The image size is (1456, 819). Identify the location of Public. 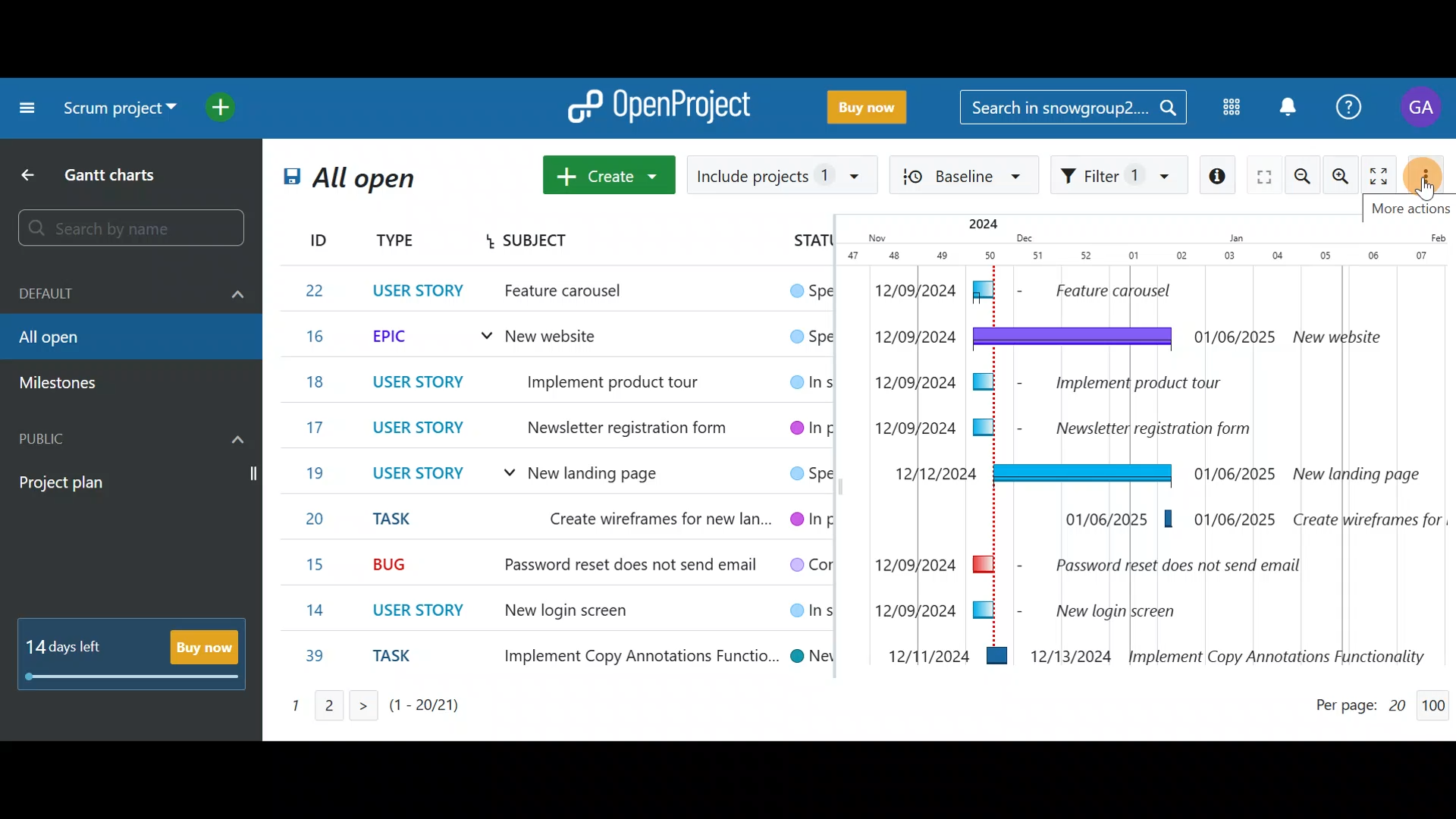
(133, 436).